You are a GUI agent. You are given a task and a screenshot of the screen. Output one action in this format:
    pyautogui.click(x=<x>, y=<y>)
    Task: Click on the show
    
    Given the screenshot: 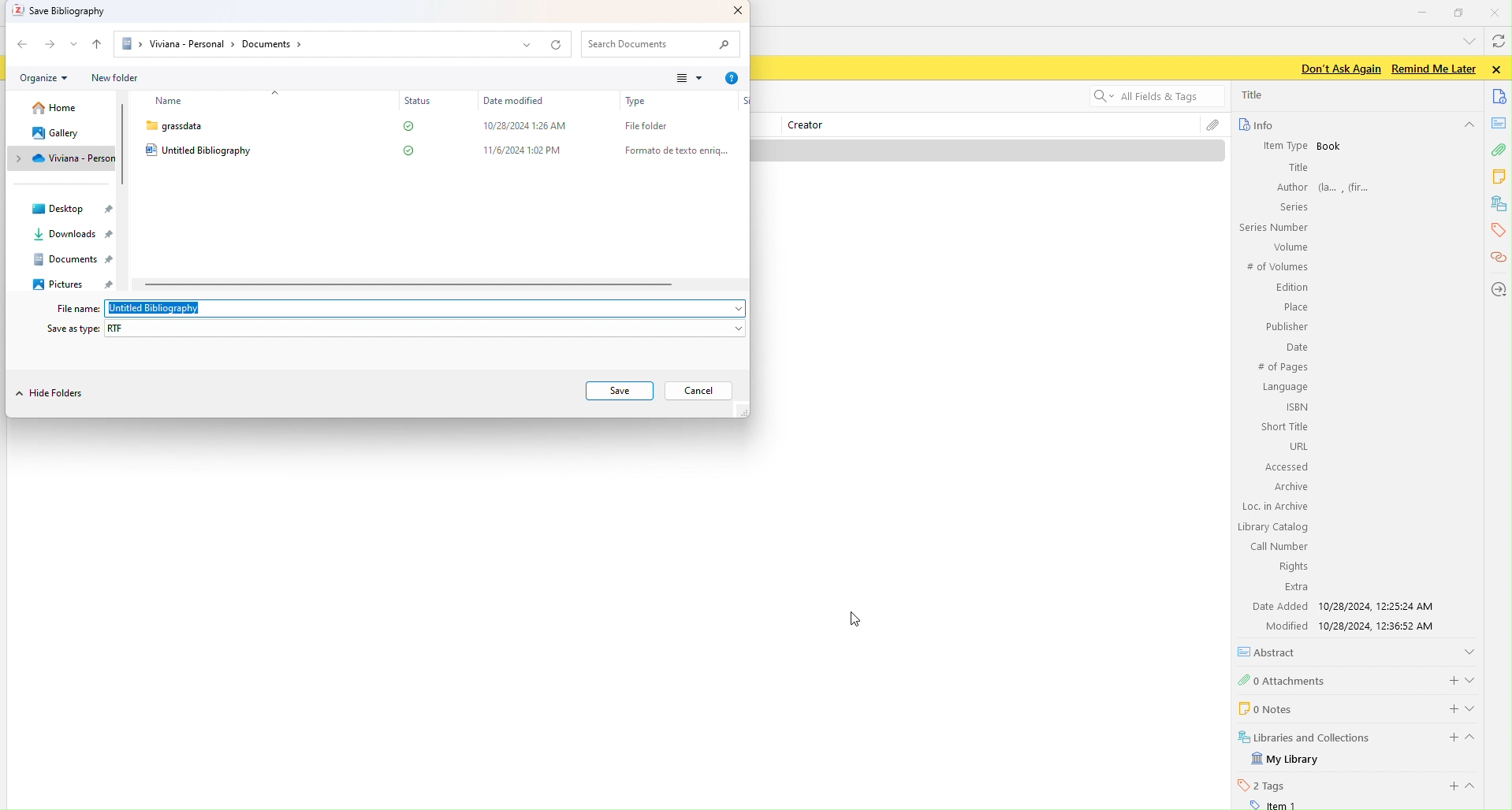 What is the action you would take?
    pyautogui.click(x=1469, y=650)
    